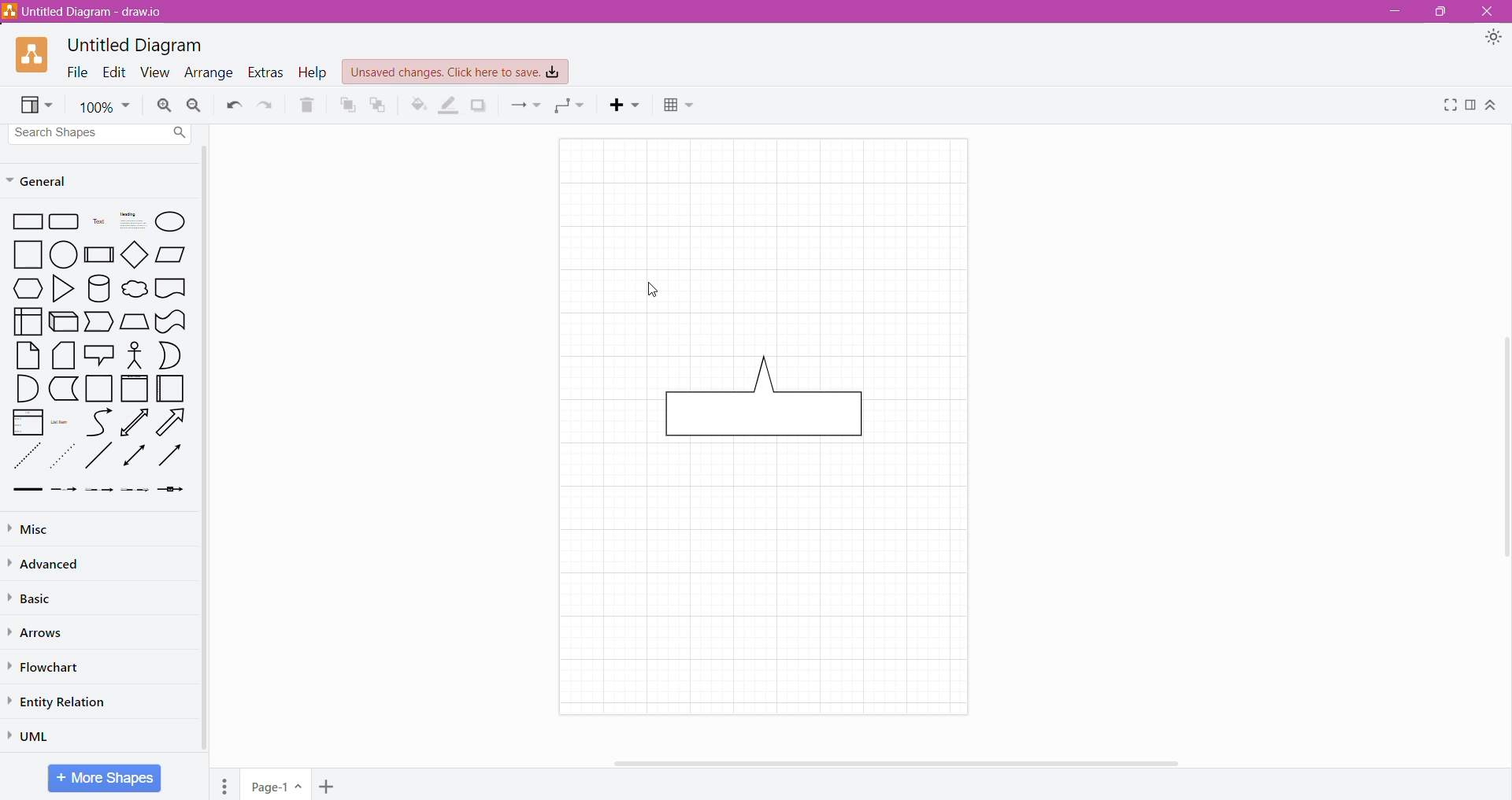 The image size is (1512, 800). I want to click on cloud, so click(133, 287).